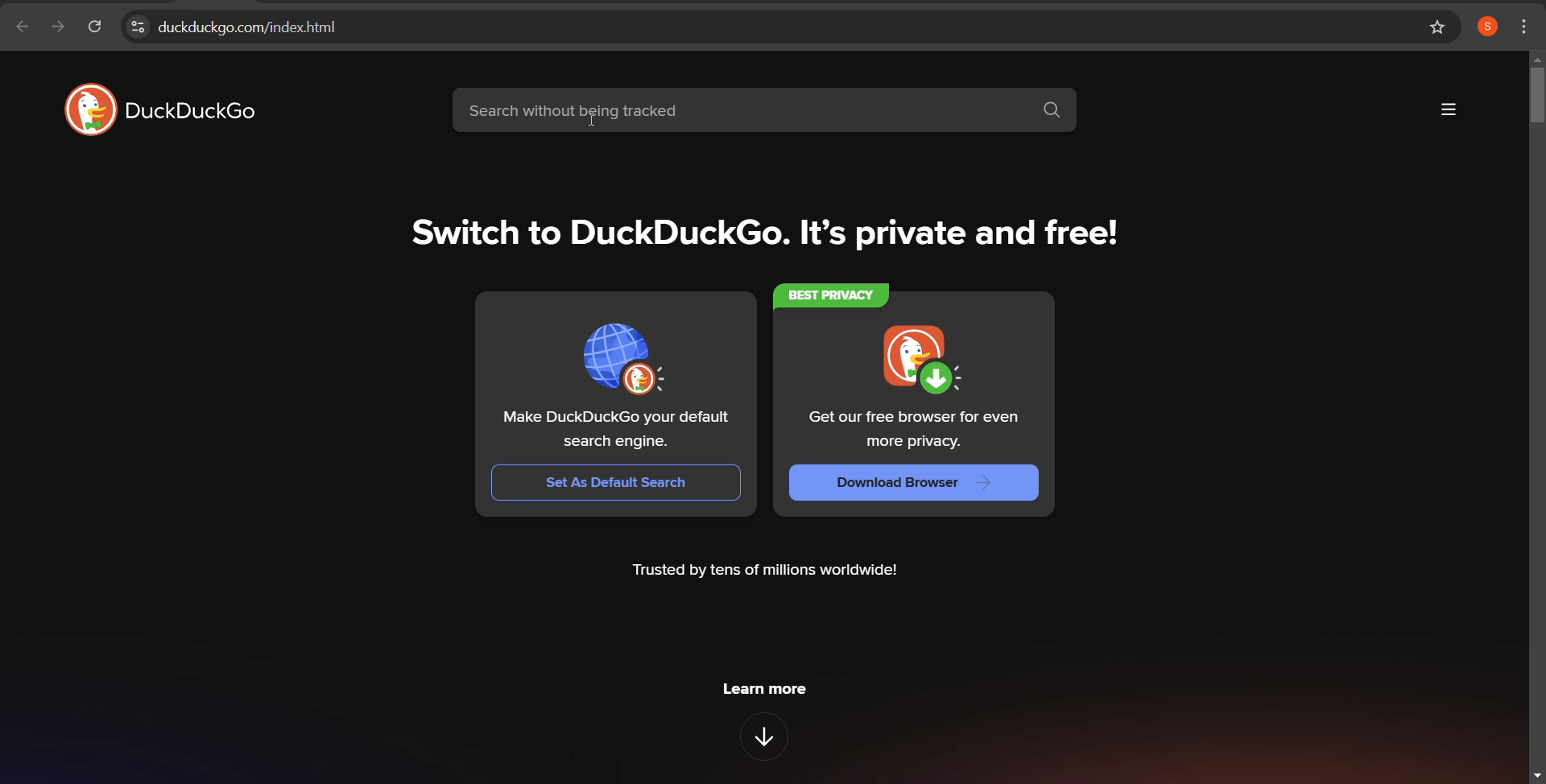 The width and height of the screenshot is (1546, 784). What do you see at coordinates (828, 294) in the screenshot?
I see `best privacy` at bounding box center [828, 294].